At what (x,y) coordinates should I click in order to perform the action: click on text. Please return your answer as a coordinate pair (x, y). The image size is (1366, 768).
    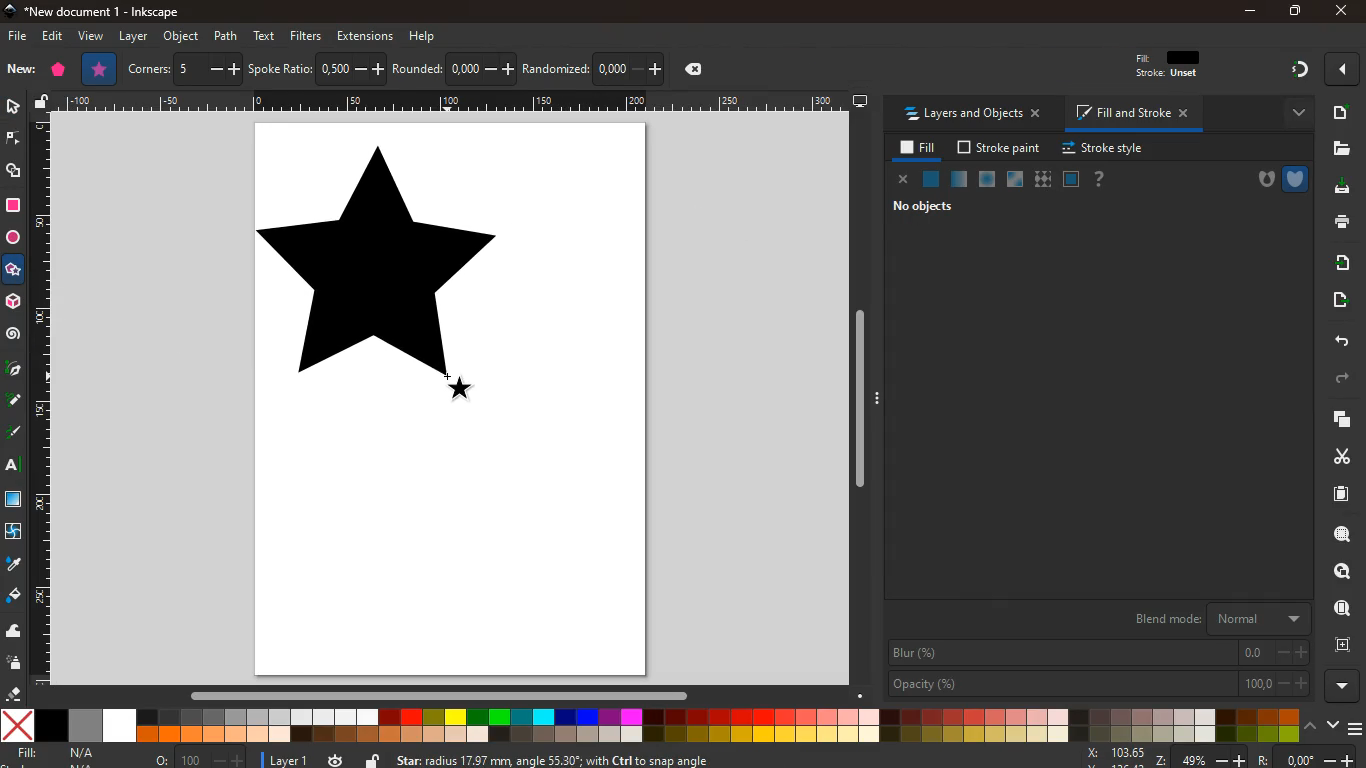
    Looking at the image, I should click on (266, 36).